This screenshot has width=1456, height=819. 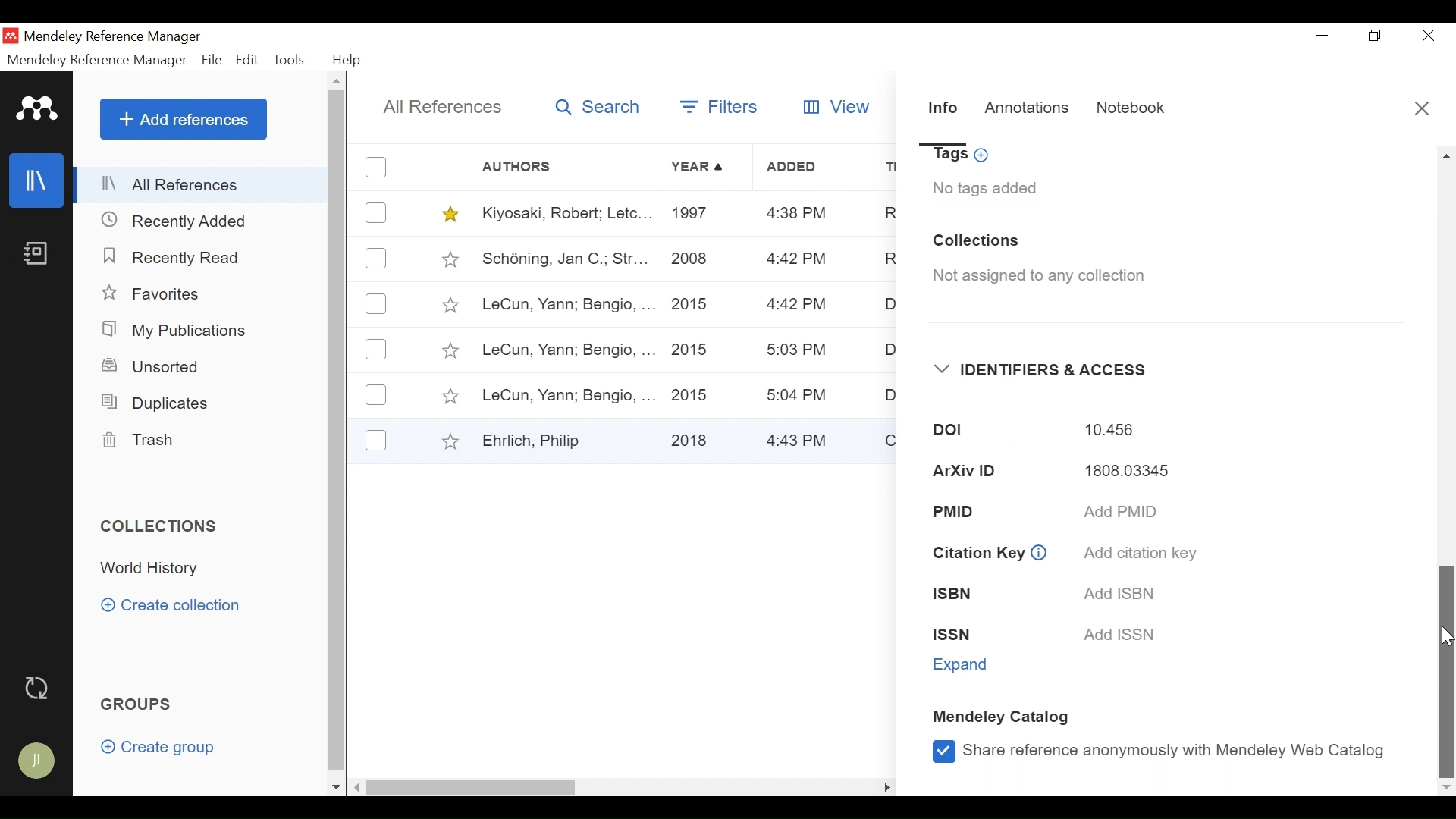 What do you see at coordinates (34, 180) in the screenshot?
I see `Library` at bounding box center [34, 180].